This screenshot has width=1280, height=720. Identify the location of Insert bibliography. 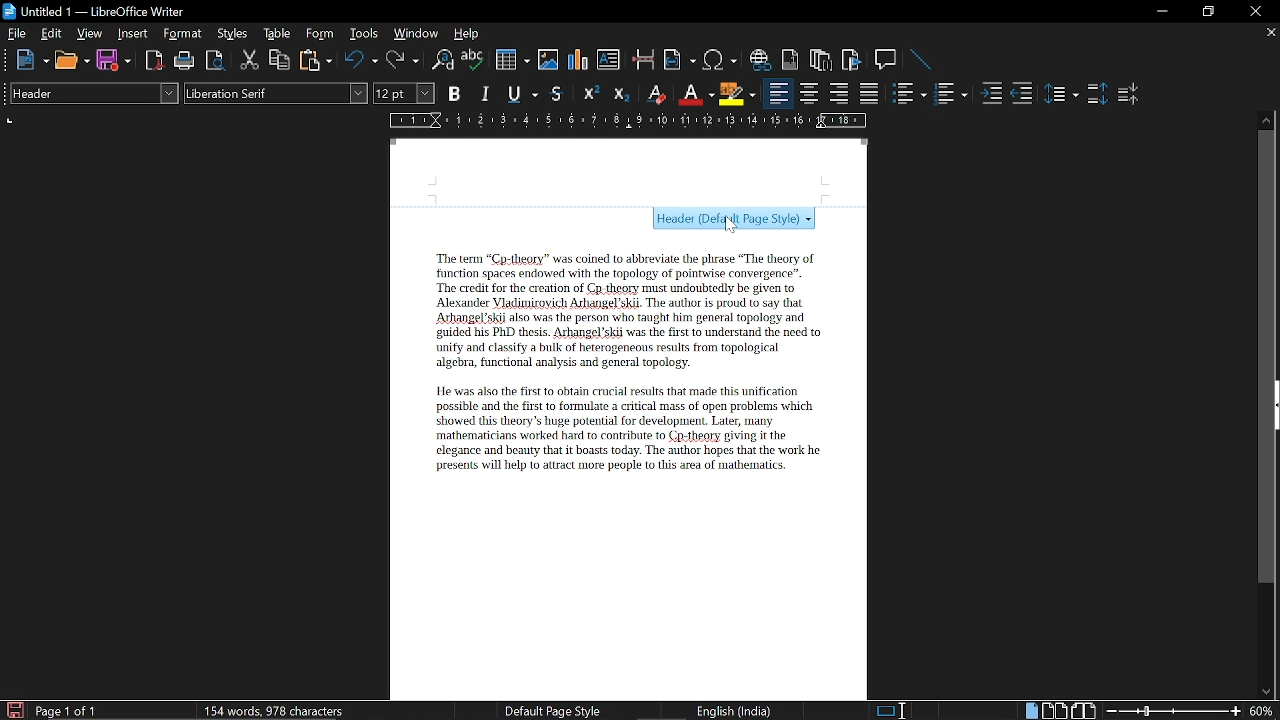
(852, 61).